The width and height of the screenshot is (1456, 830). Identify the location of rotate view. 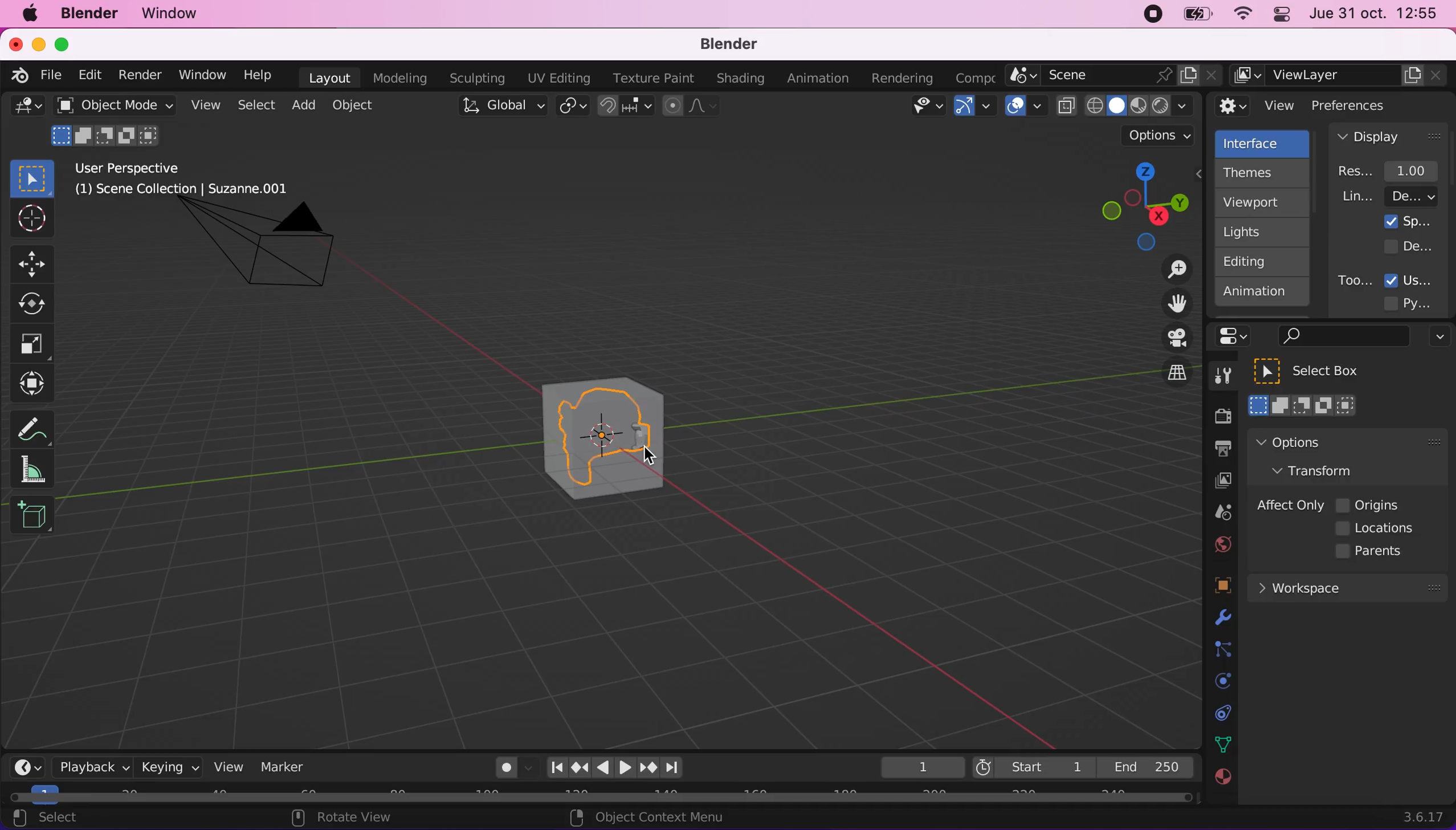
(353, 819).